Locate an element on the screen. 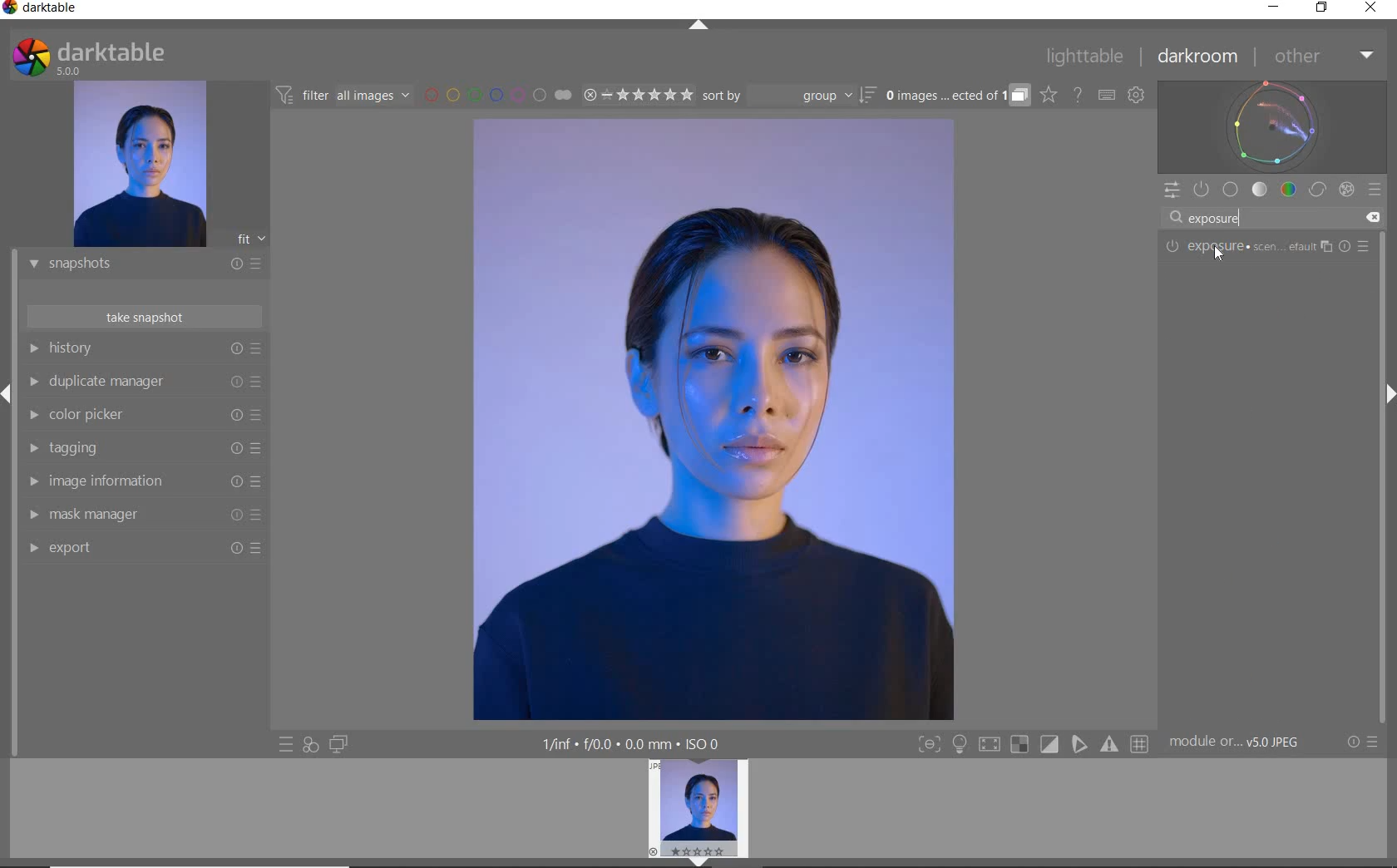  IMAGE INFORMATION is located at coordinates (139, 486).